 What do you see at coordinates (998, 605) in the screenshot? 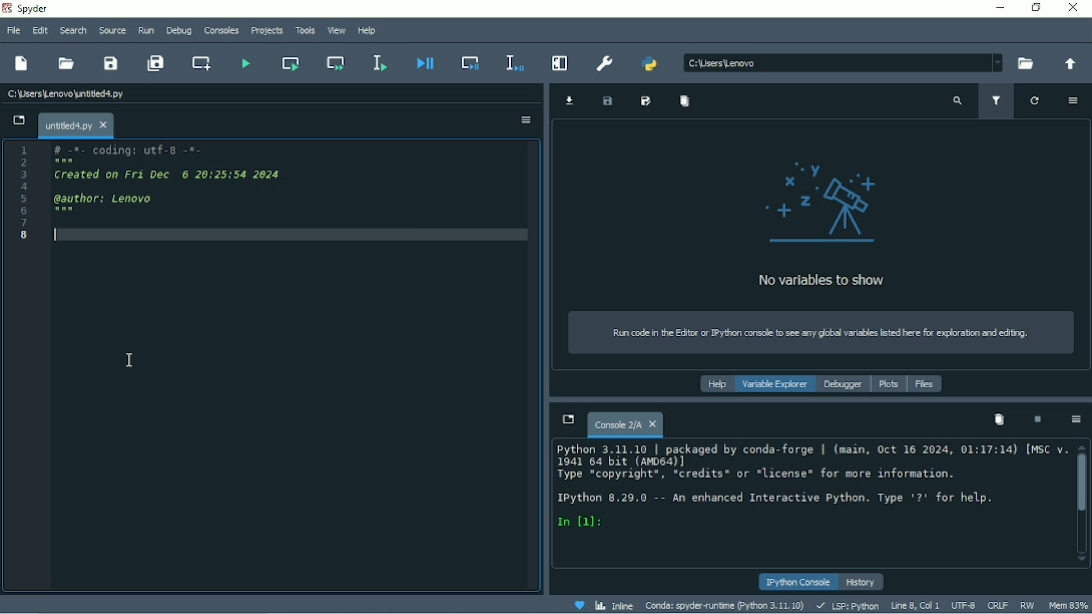
I see `CRLF` at bounding box center [998, 605].